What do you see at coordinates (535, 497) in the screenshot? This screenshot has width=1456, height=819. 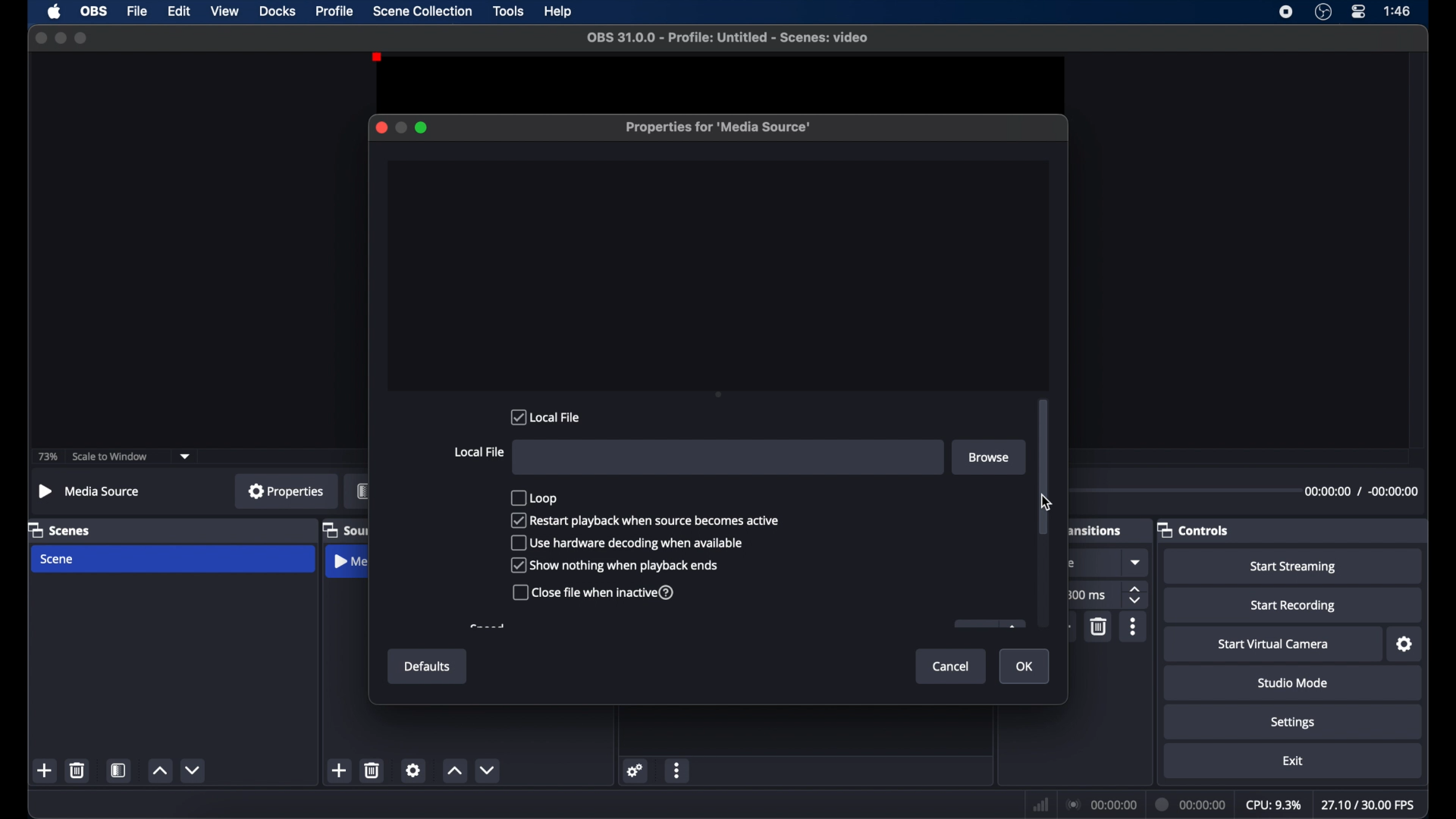 I see `loop` at bounding box center [535, 497].